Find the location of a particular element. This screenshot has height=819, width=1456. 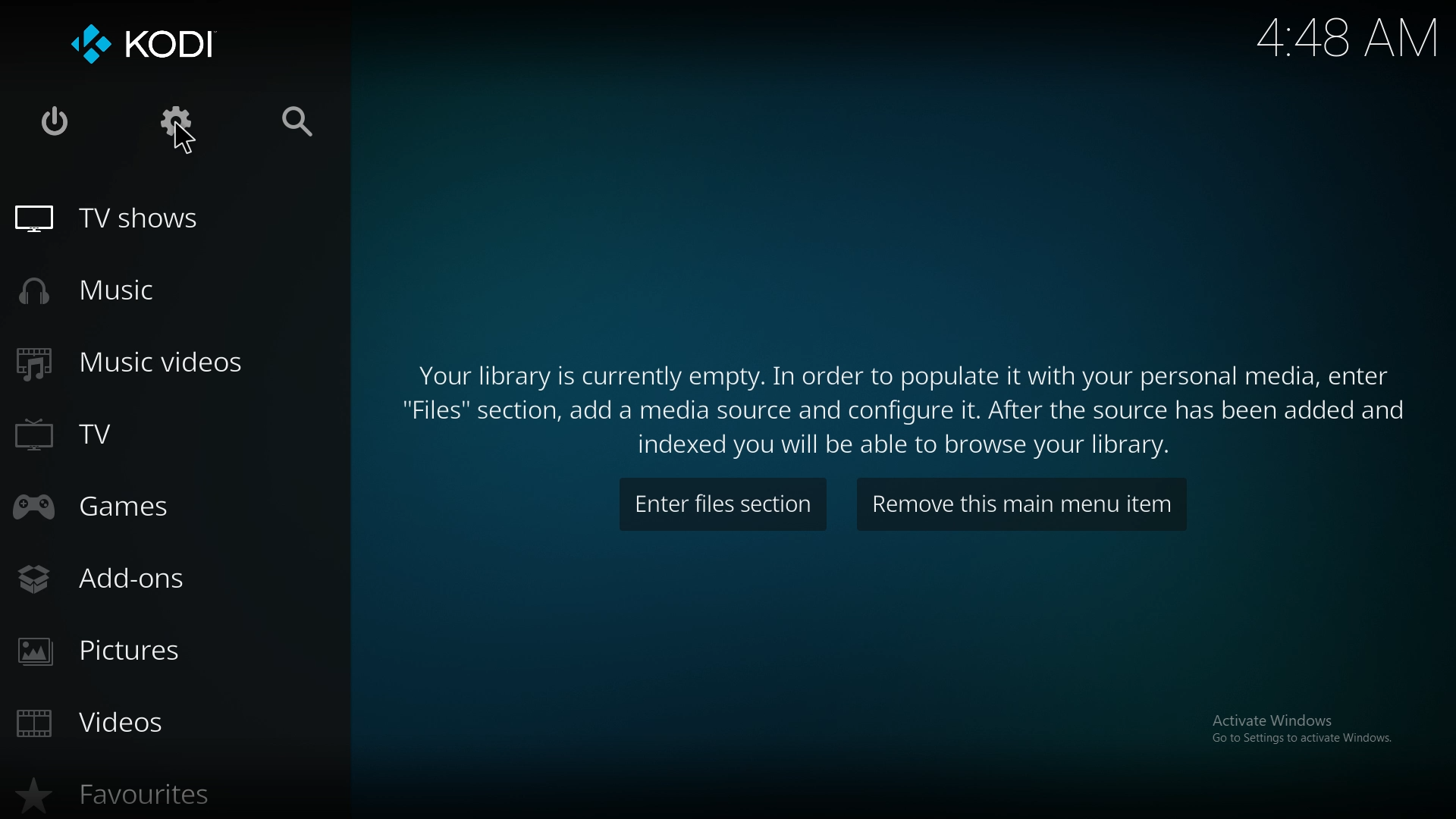

music videos is located at coordinates (146, 363).